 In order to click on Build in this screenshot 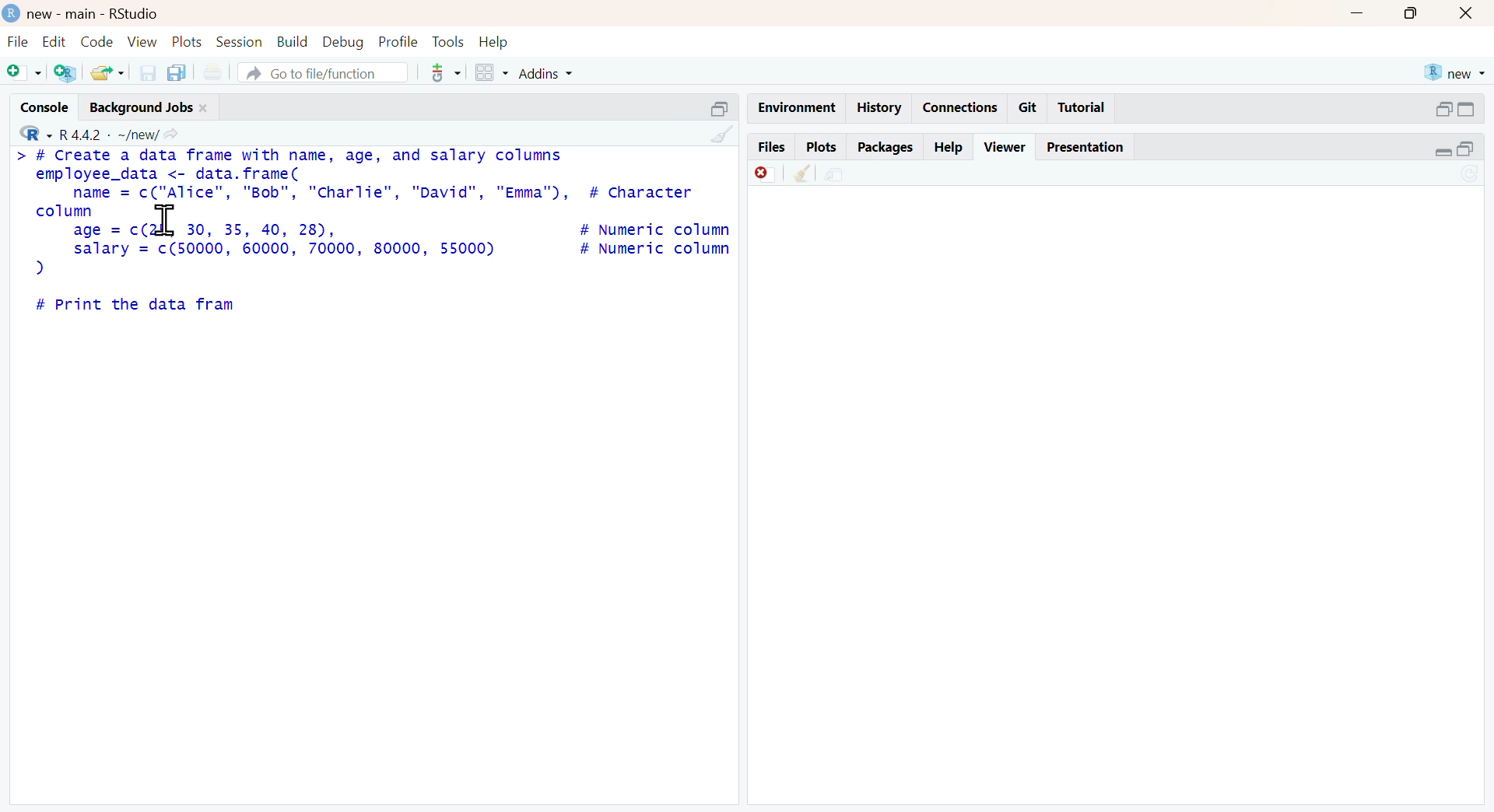, I will do `click(288, 40)`.